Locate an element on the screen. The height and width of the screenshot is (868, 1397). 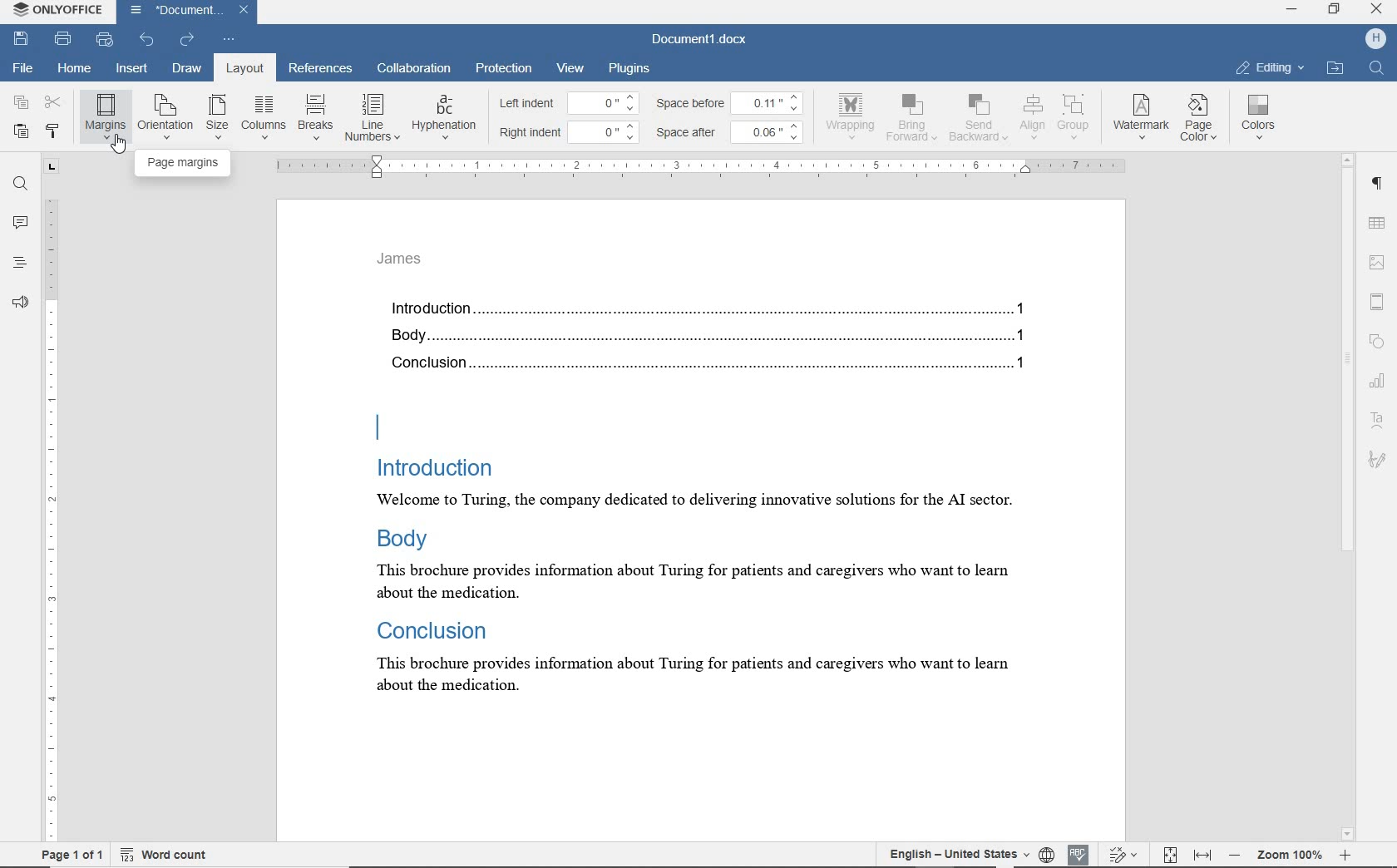
header & footer is located at coordinates (1381, 303).